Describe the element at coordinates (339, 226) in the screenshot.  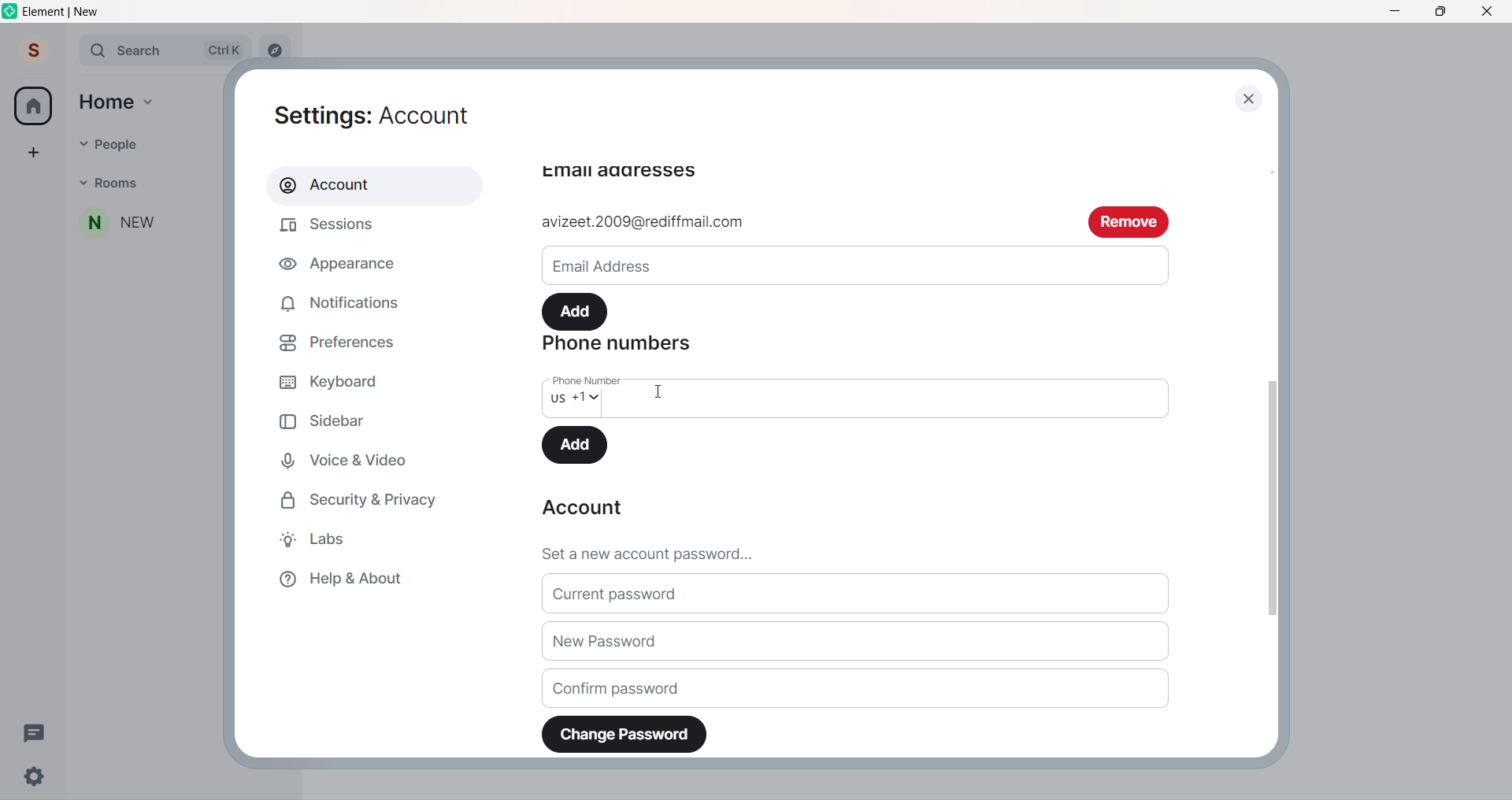
I see `Sessions` at that location.